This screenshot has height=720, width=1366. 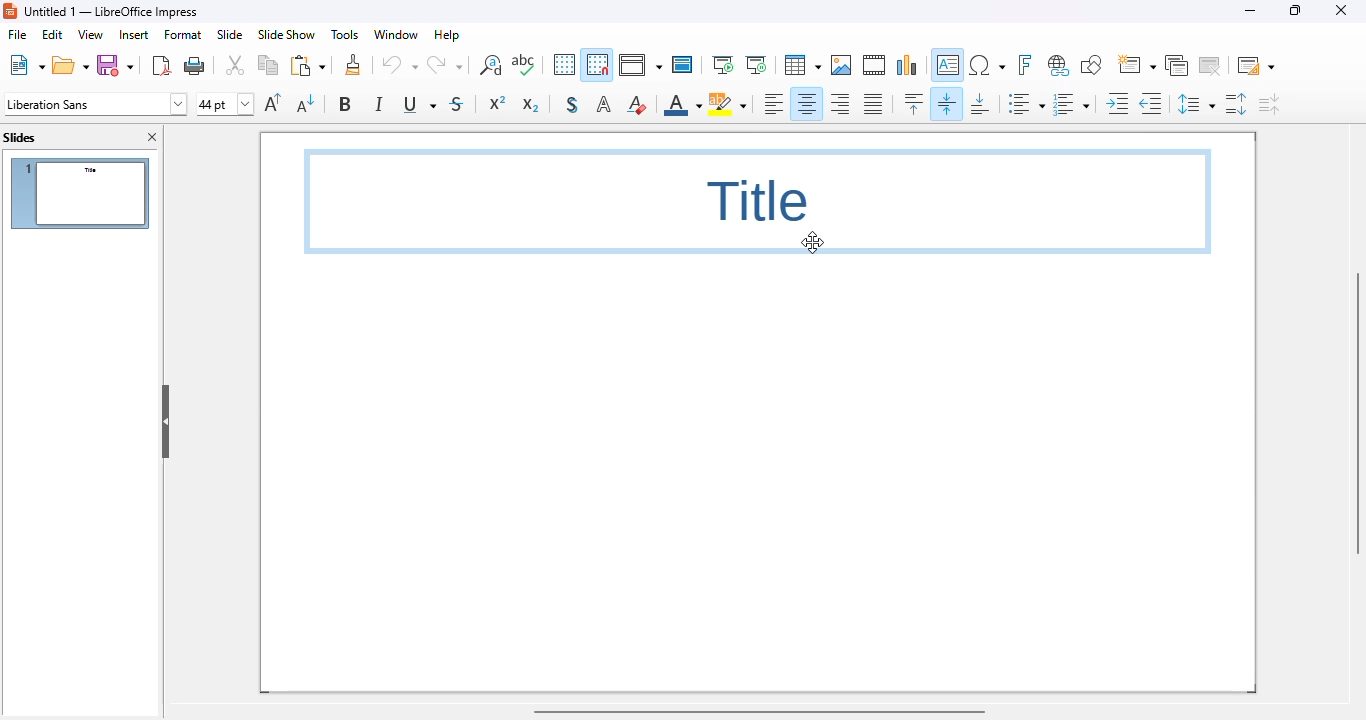 What do you see at coordinates (1071, 104) in the screenshot?
I see `toggle ordered list` at bounding box center [1071, 104].